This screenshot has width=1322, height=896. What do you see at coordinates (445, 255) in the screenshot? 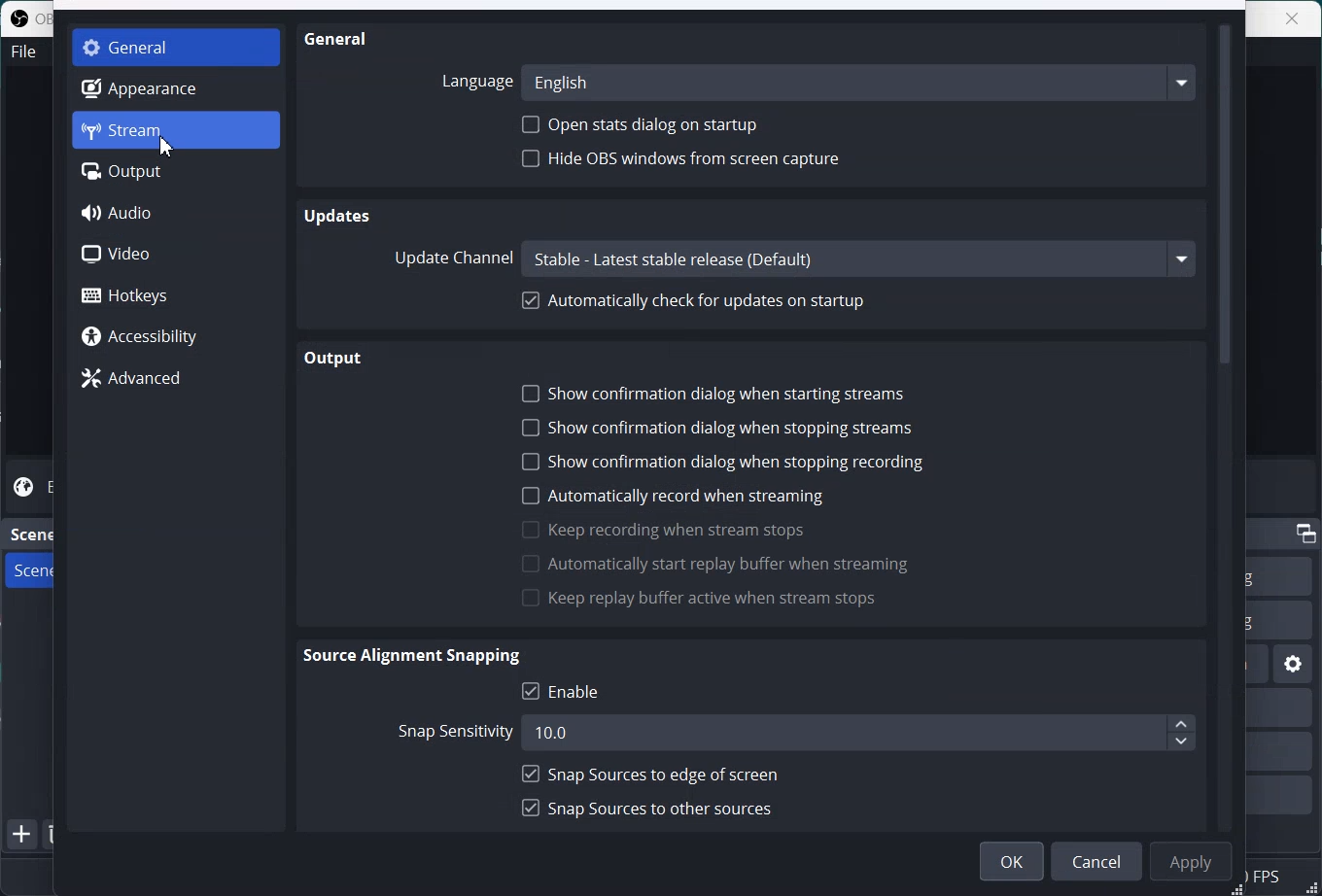
I see `Update Channel` at bounding box center [445, 255].